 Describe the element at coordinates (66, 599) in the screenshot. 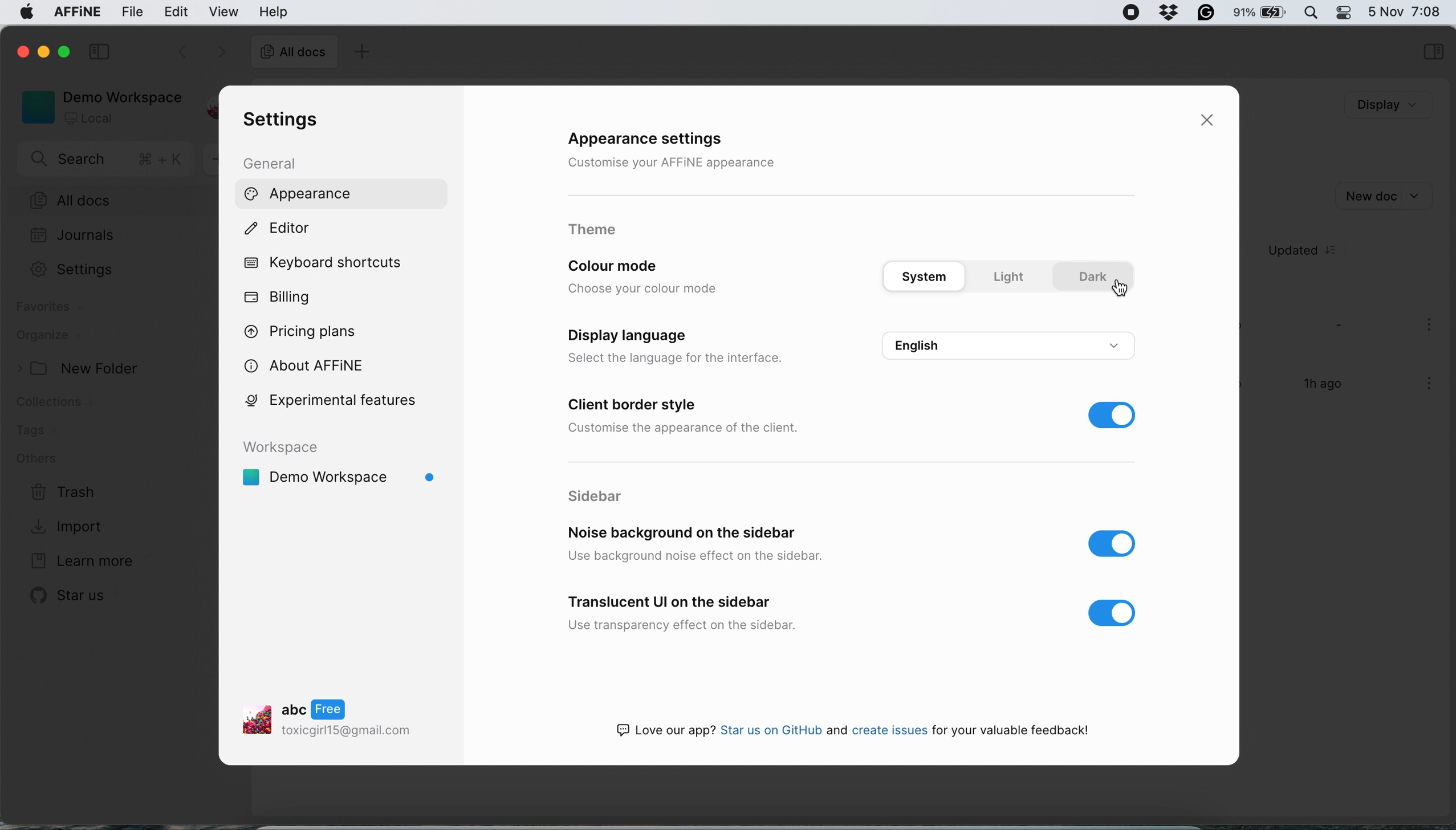

I see `star us` at that location.